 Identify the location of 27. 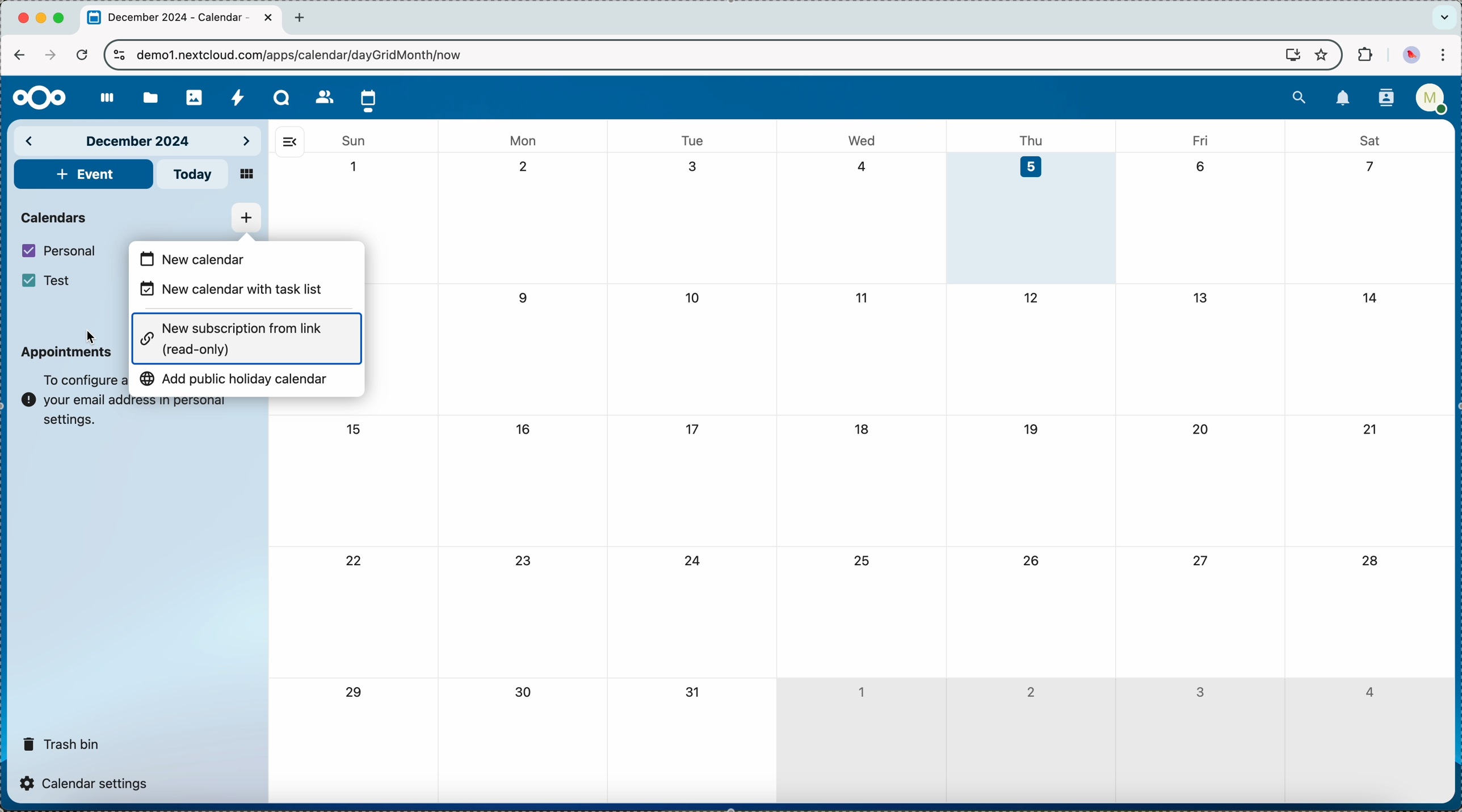
(1199, 559).